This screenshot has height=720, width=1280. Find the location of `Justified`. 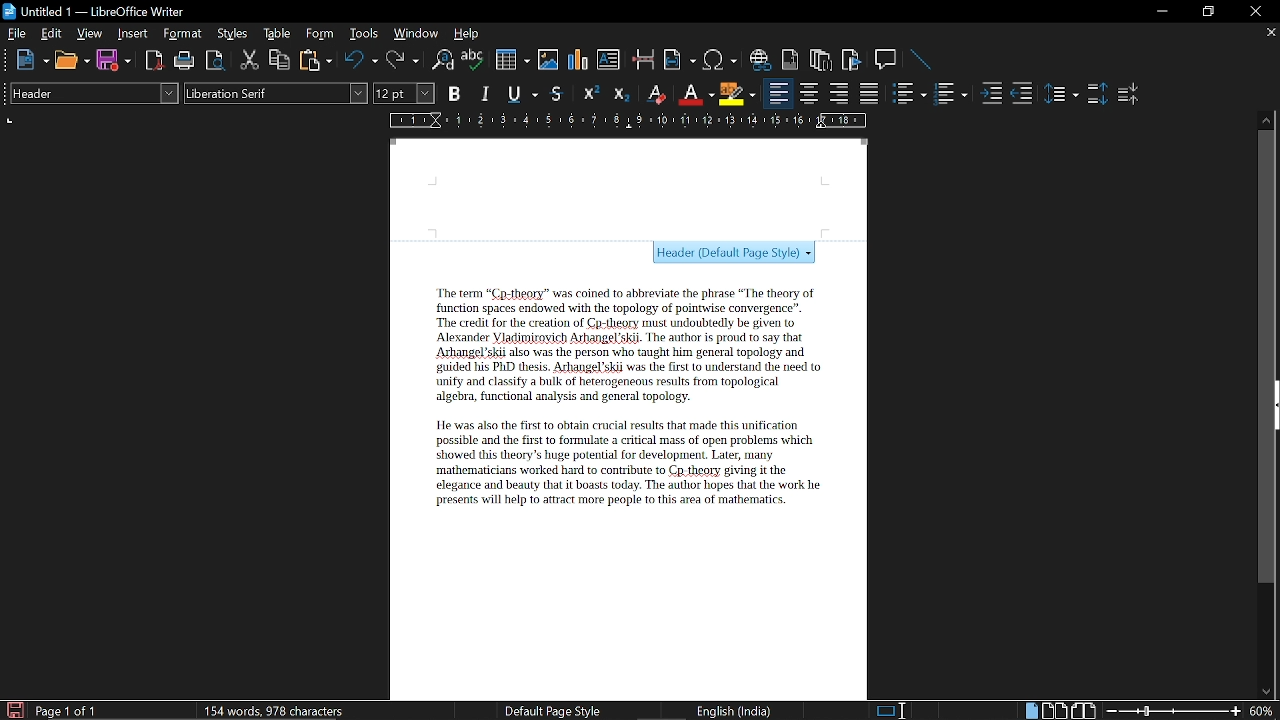

Justified is located at coordinates (870, 94).